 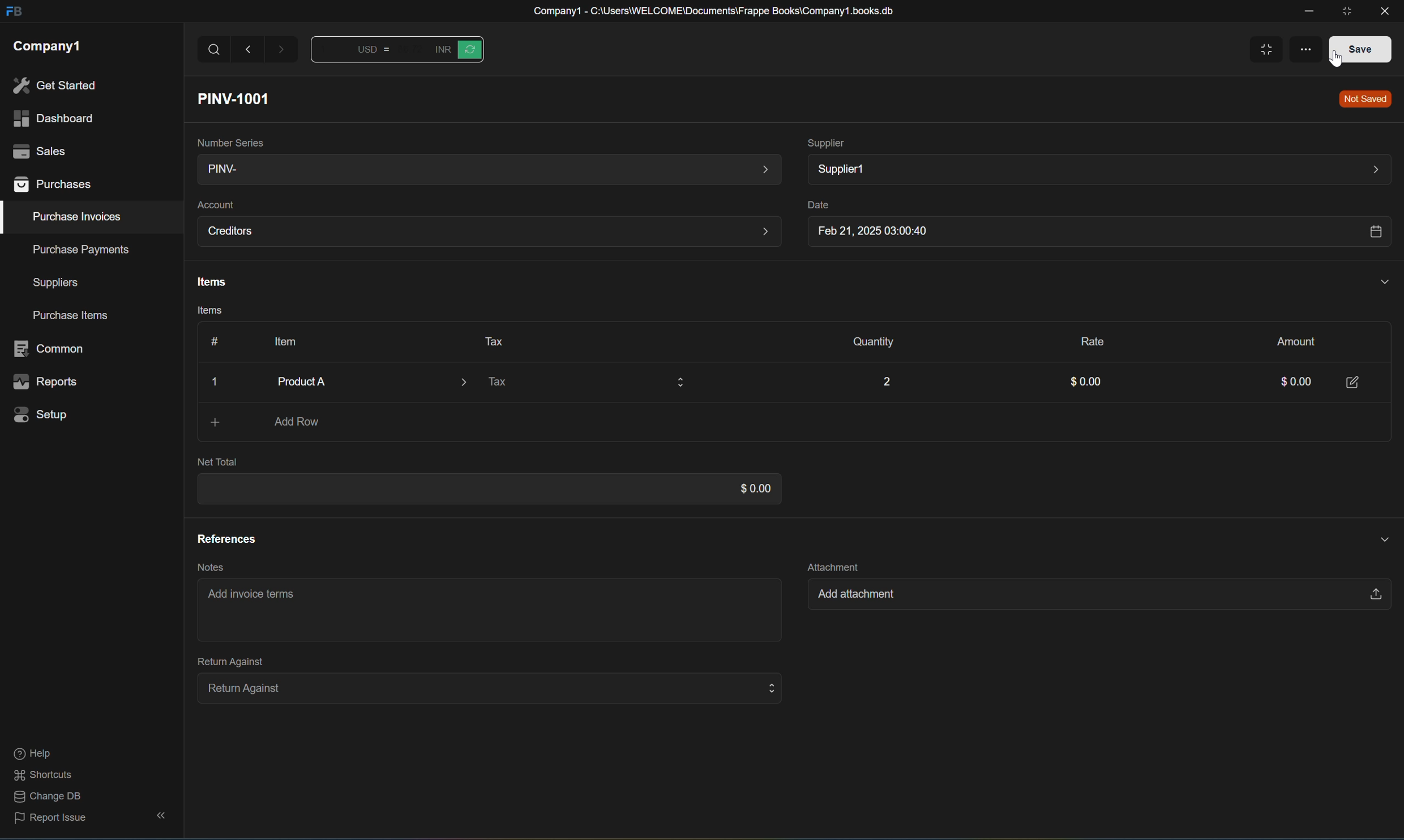 I want to click on Edit, so click(x=1354, y=381).